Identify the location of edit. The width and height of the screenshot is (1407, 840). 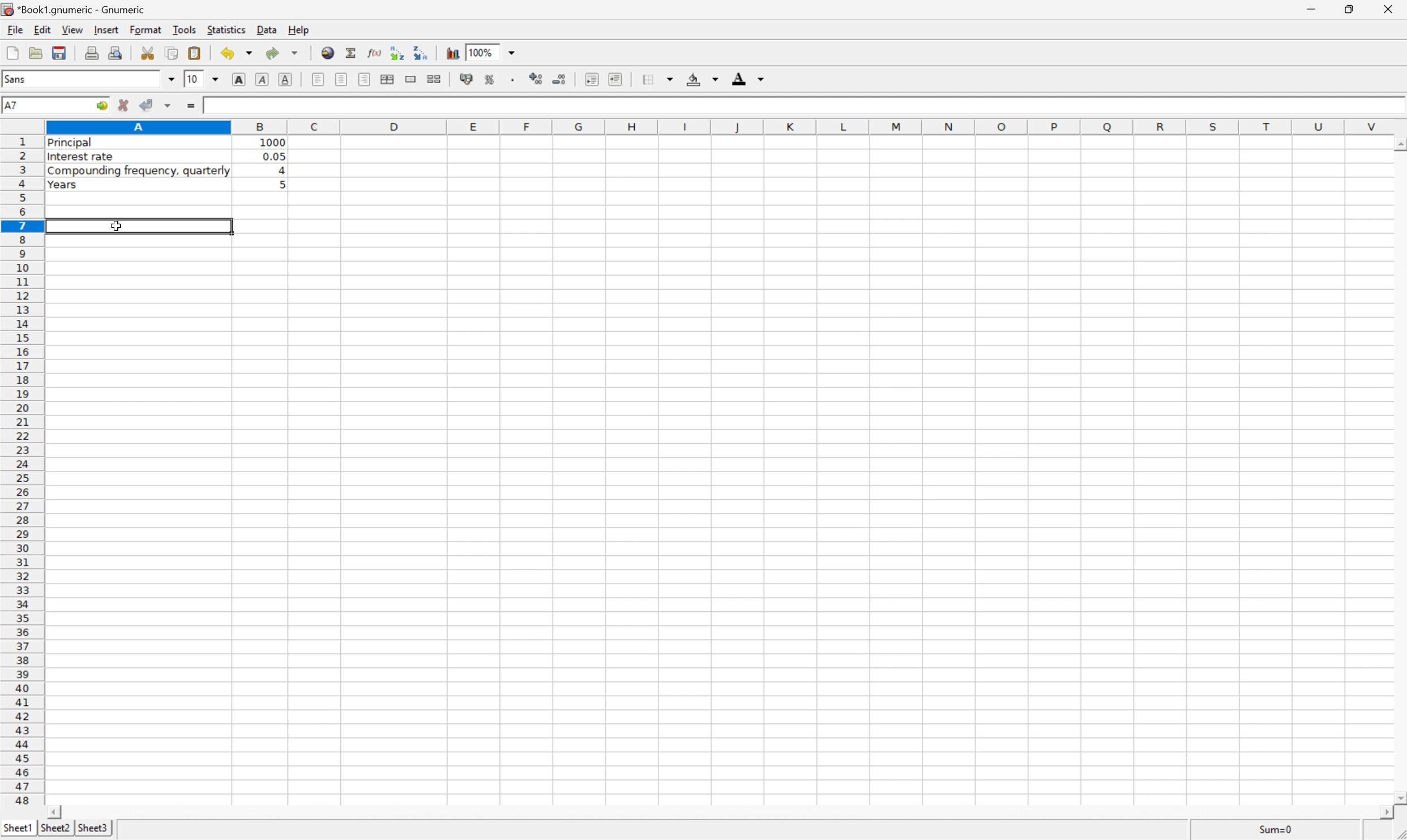
(41, 29).